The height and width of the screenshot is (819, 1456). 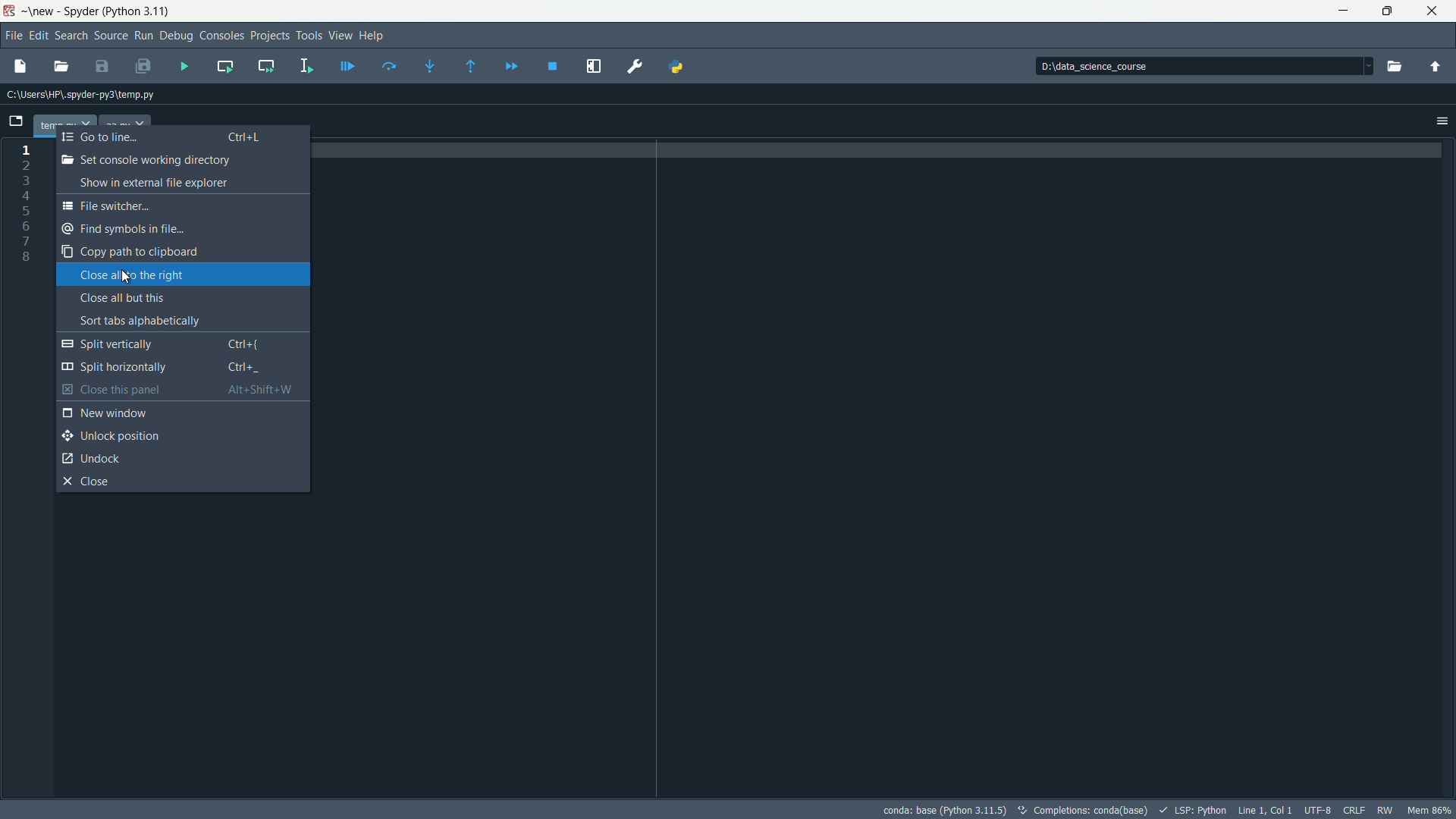 I want to click on memory usage, so click(x=1429, y=810).